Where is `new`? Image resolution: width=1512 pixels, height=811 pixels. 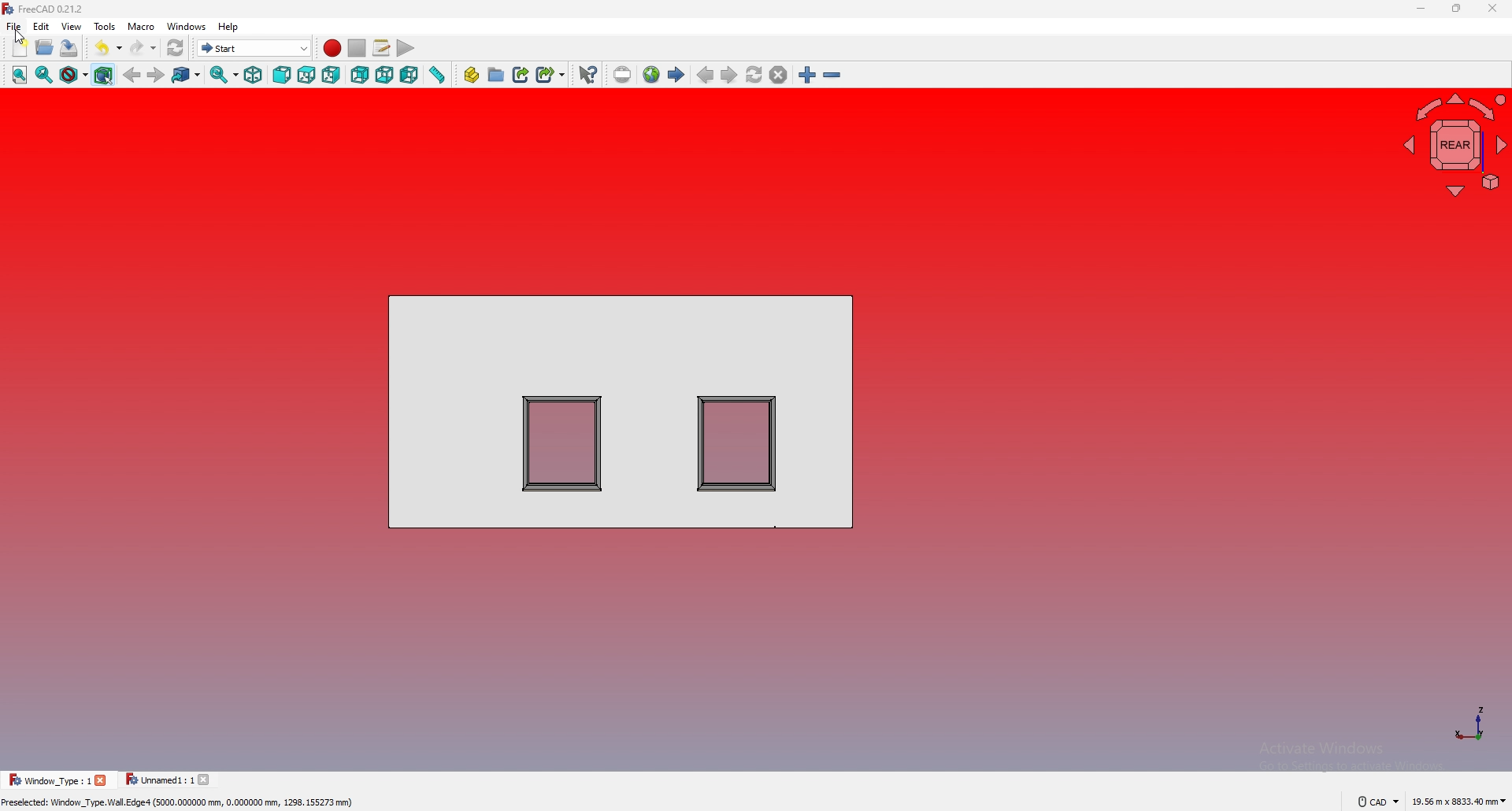
new is located at coordinates (20, 49).